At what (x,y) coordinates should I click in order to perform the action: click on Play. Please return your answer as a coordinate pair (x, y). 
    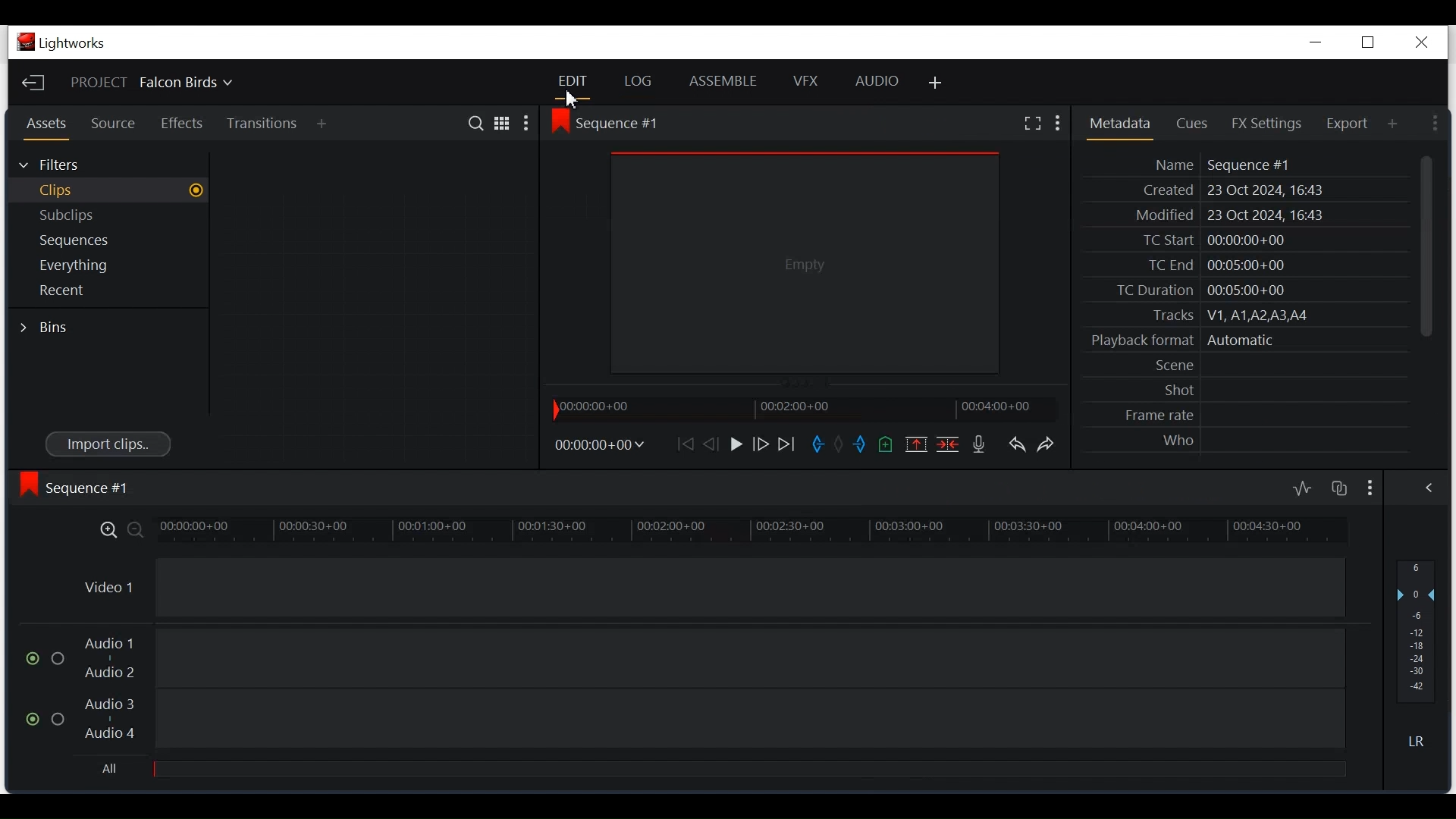
    Looking at the image, I should click on (735, 444).